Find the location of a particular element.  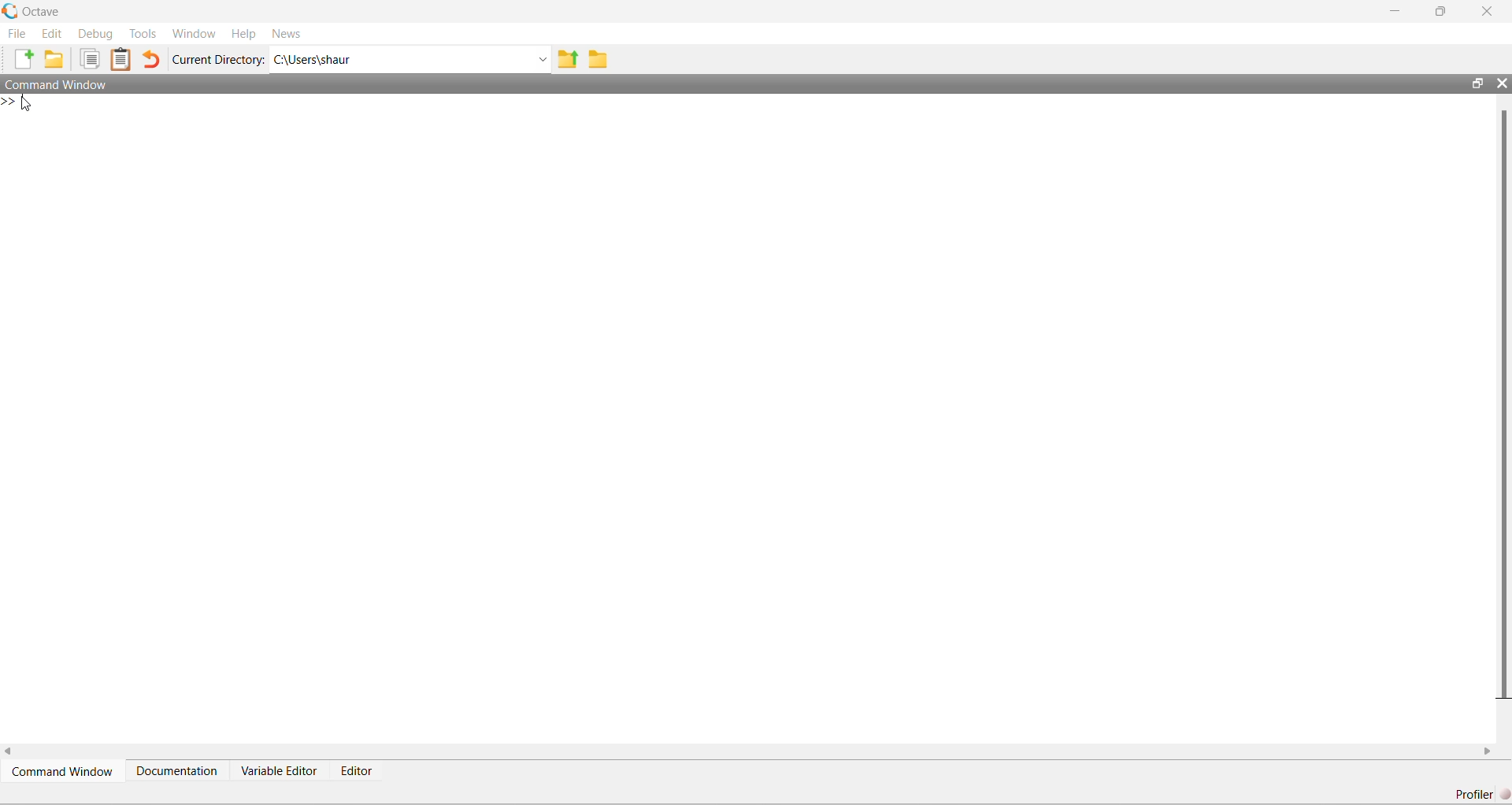

Close is located at coordinates (1488, 12).